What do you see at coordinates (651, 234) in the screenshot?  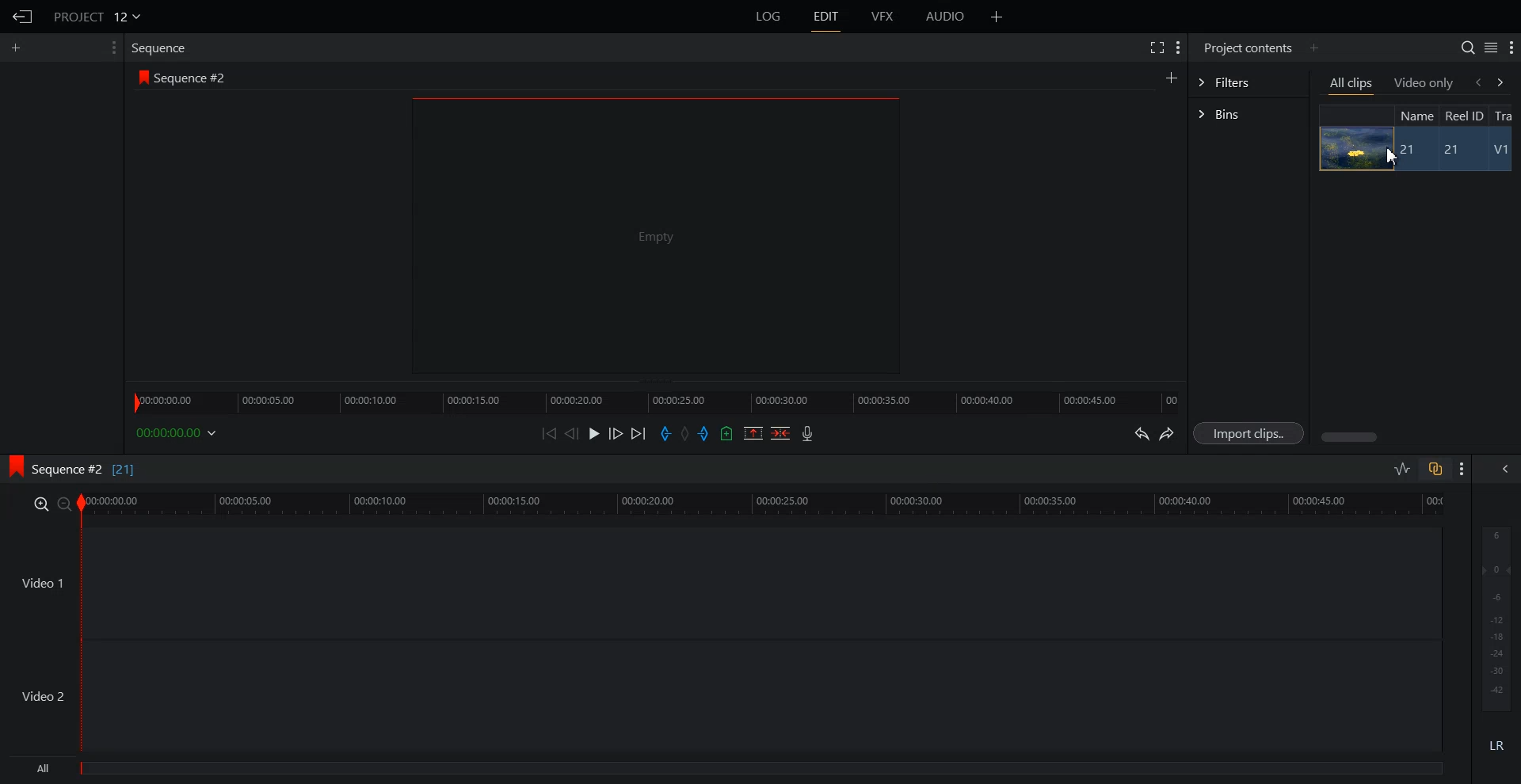 I see `Window preview` at bounding box center [651, 234].